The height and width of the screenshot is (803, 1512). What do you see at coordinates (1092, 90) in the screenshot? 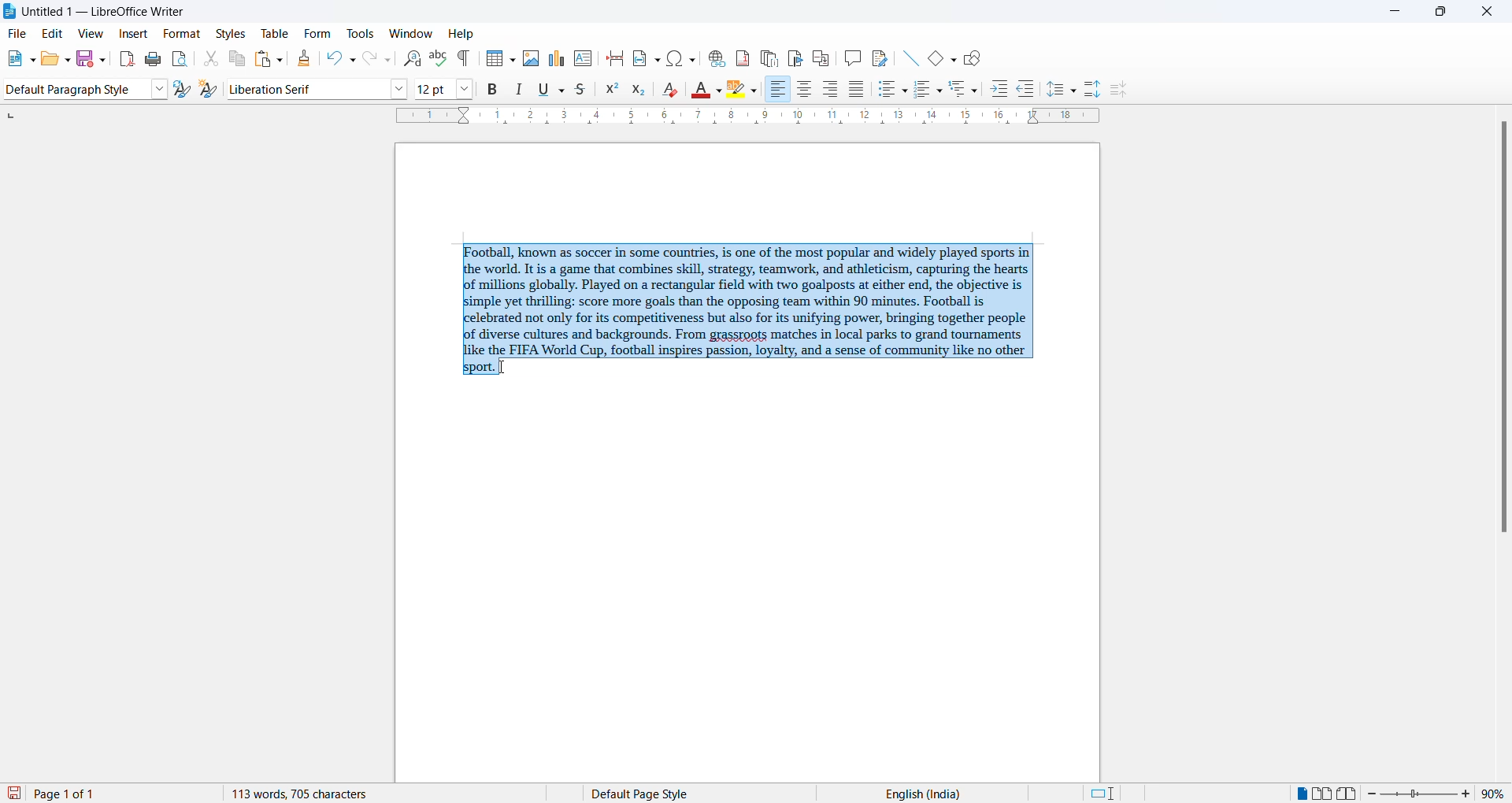
I see `increase paragraph spacing` at bounding box center [1092, 90].